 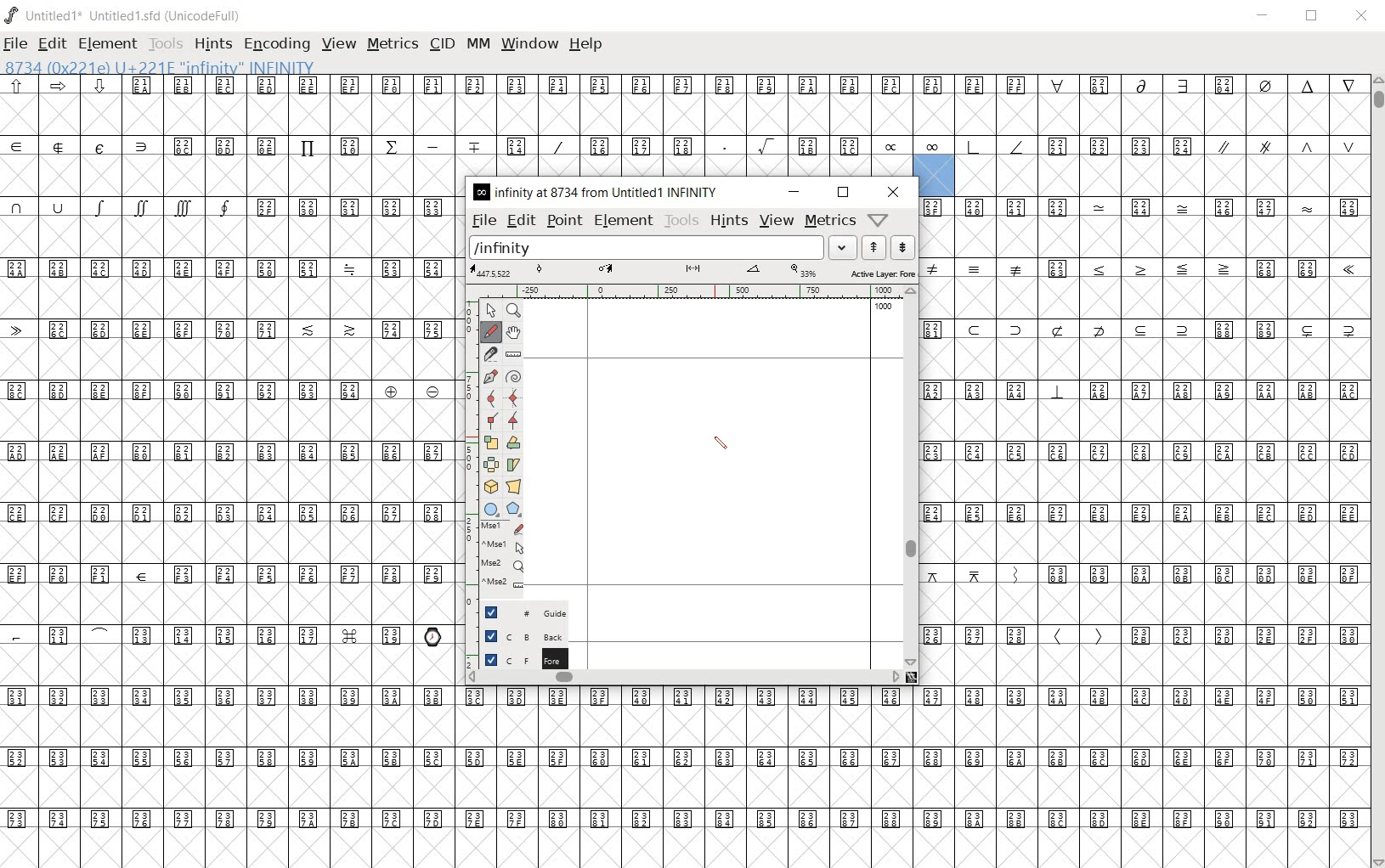 I want to click on Unicode code points, so click(x=684, y=696).